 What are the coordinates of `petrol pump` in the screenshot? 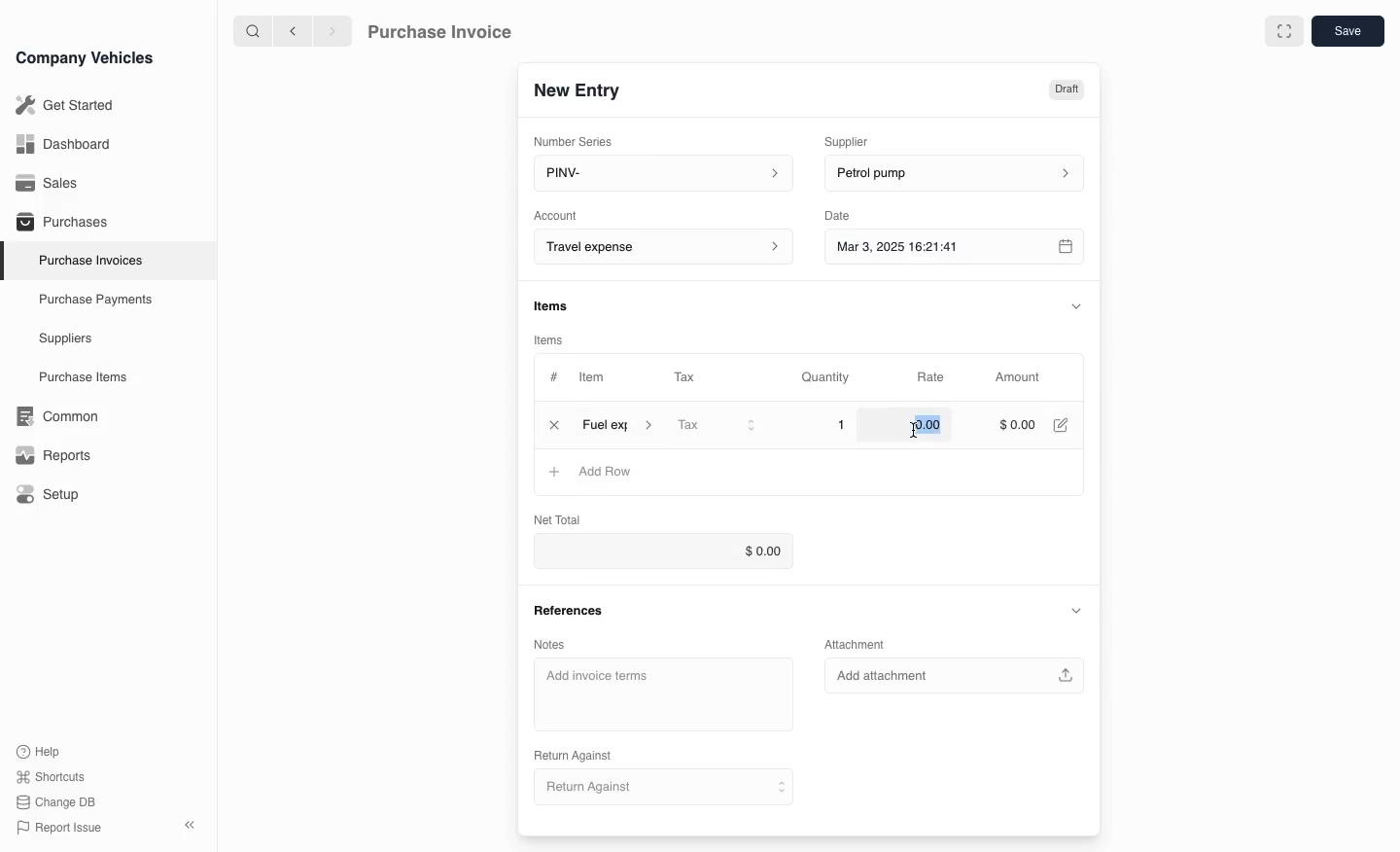 It's located at (951, 174).